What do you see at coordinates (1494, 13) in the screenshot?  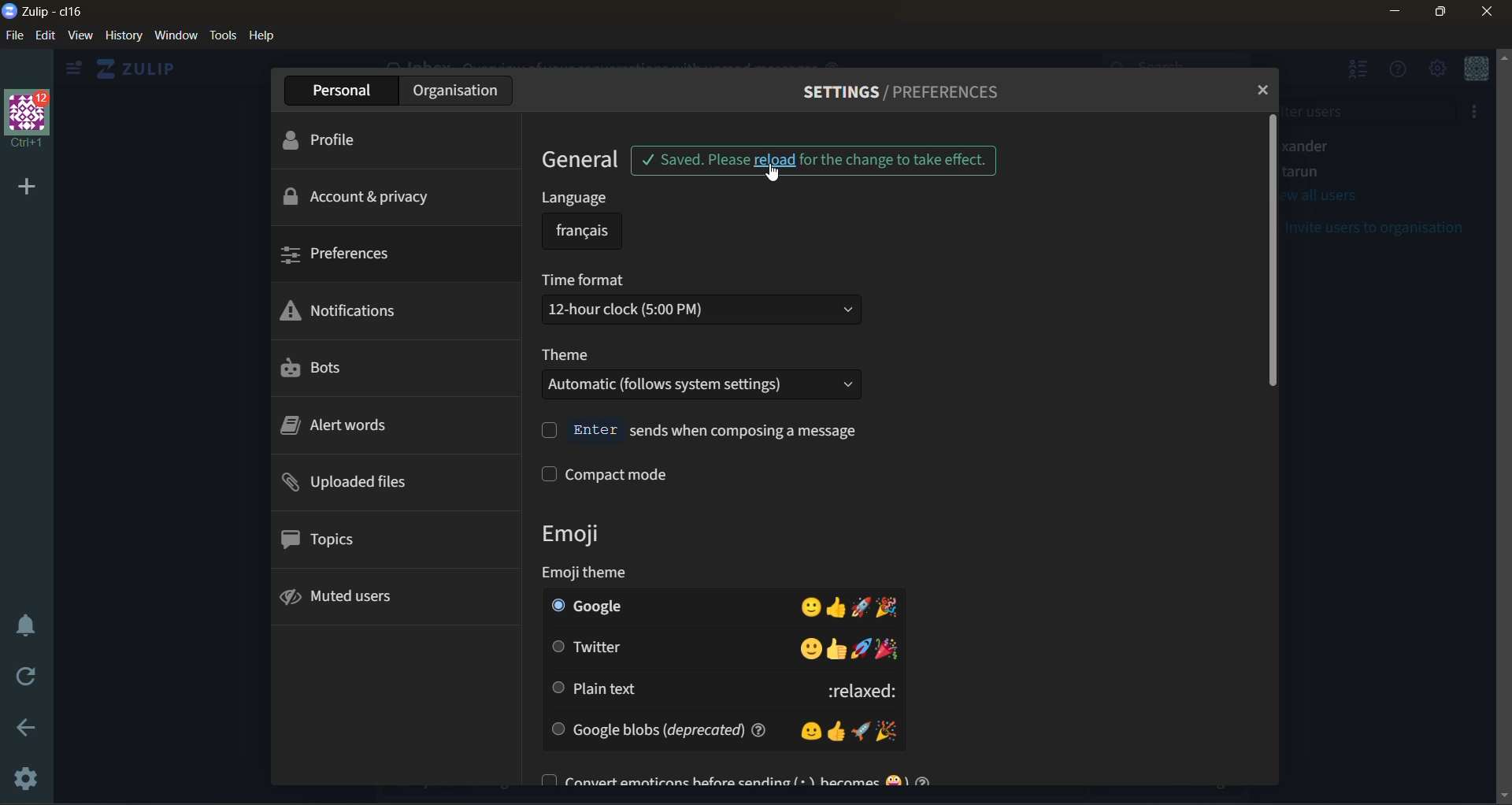 I see `close` at bounding box center [1494, 13].